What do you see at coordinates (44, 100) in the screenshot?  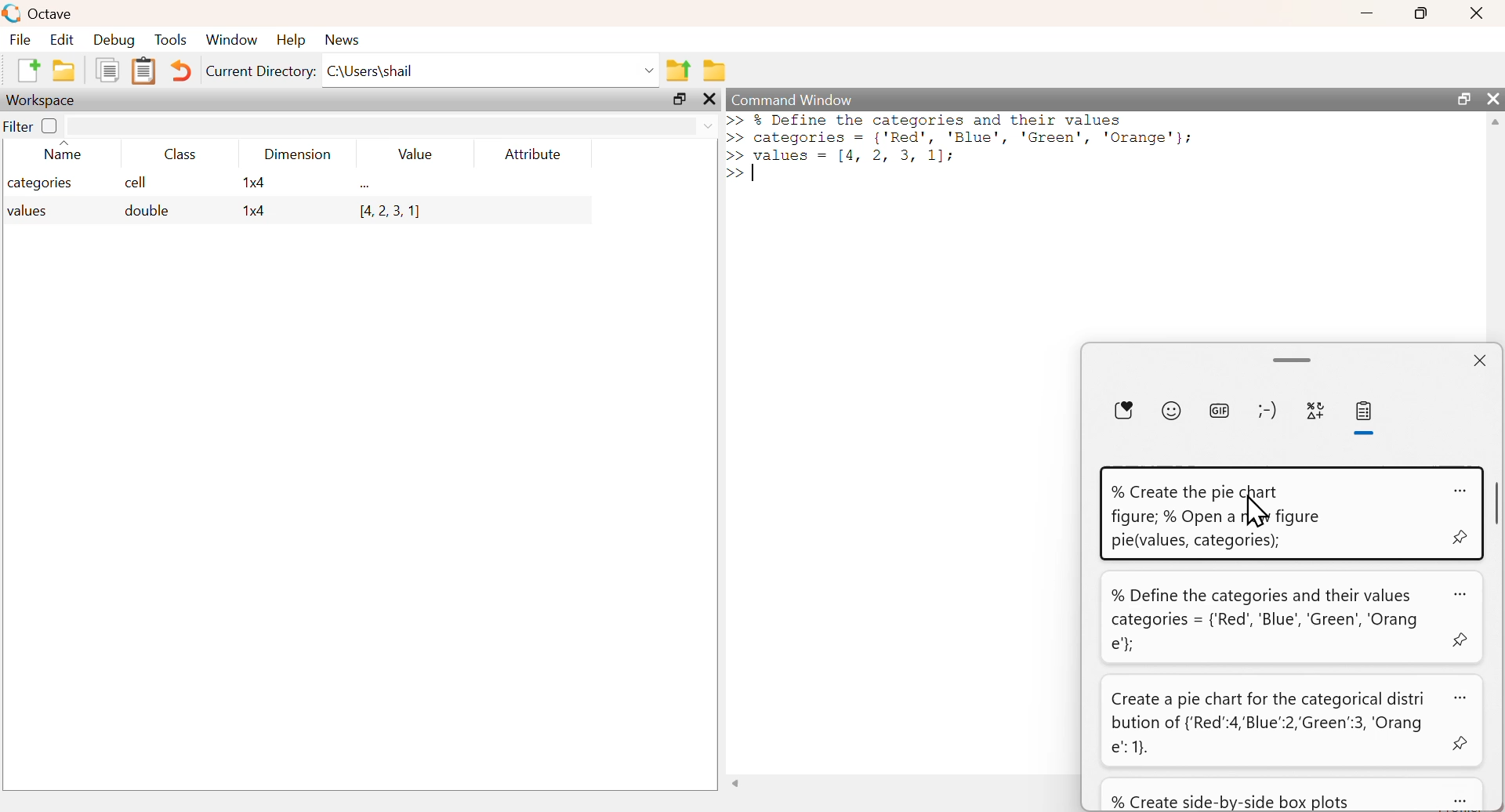 I see `Workspace` at bounding box center [44, 100].